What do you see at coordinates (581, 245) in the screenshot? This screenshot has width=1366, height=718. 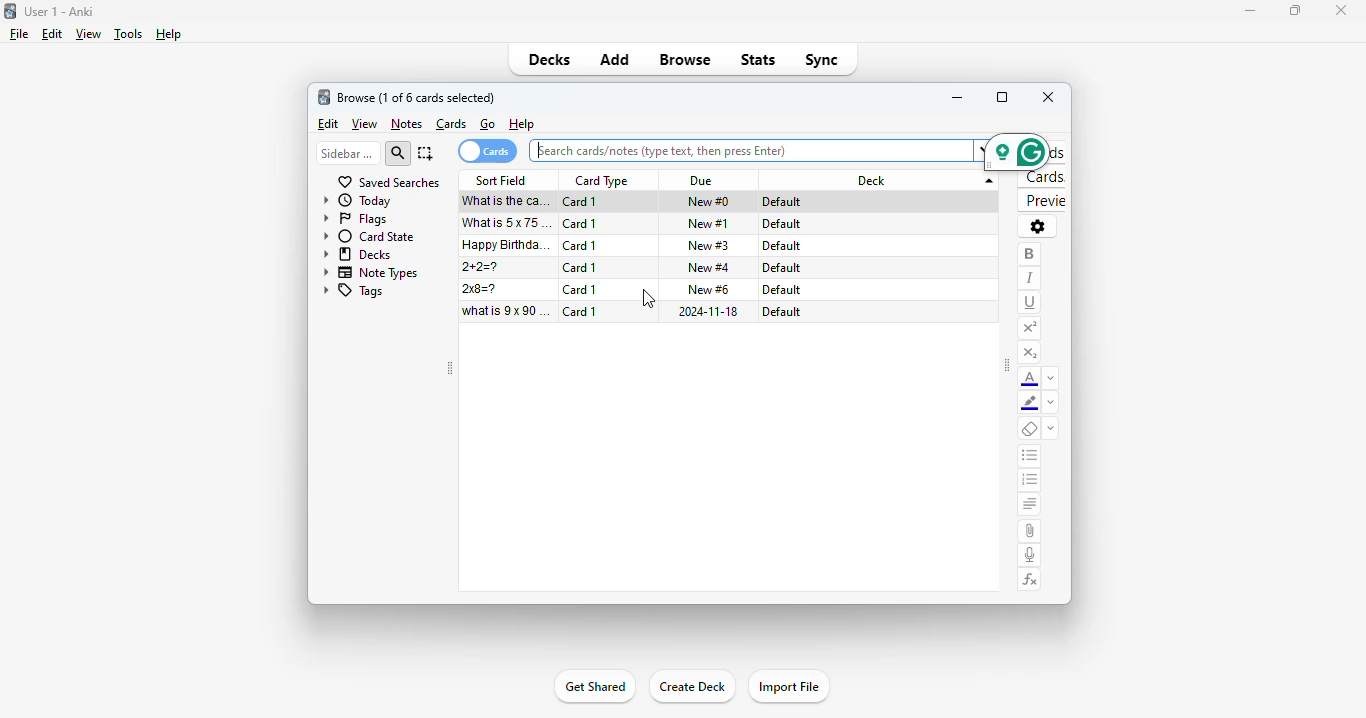 I see `card 1` at bounding box center [581, 245].